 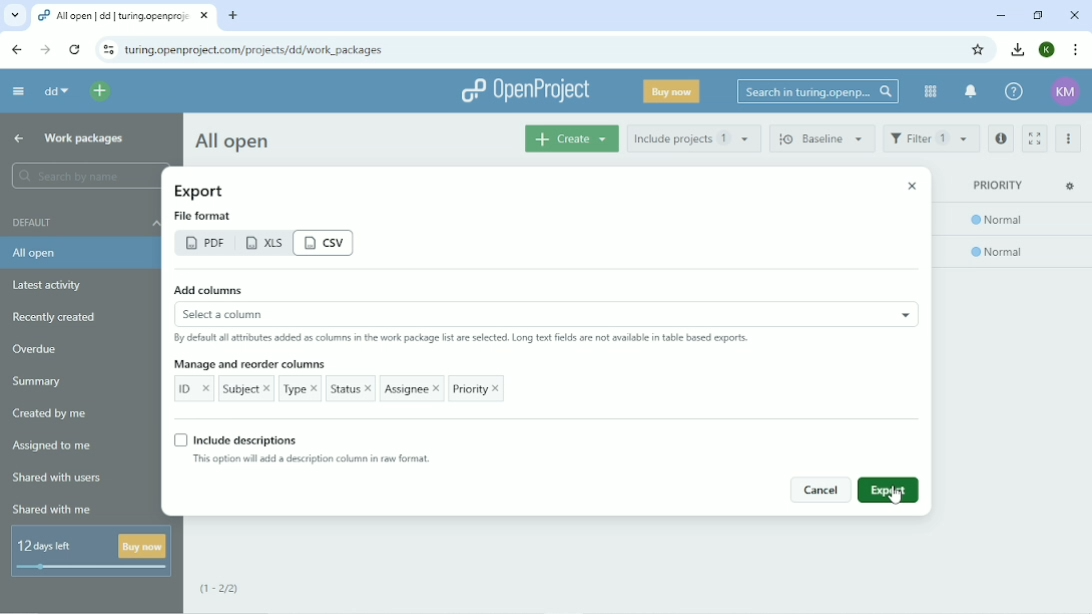 What do you see at coordinates (1064, 185) in the screenshot?
I see `settings` at bounding box center [1064, 185].